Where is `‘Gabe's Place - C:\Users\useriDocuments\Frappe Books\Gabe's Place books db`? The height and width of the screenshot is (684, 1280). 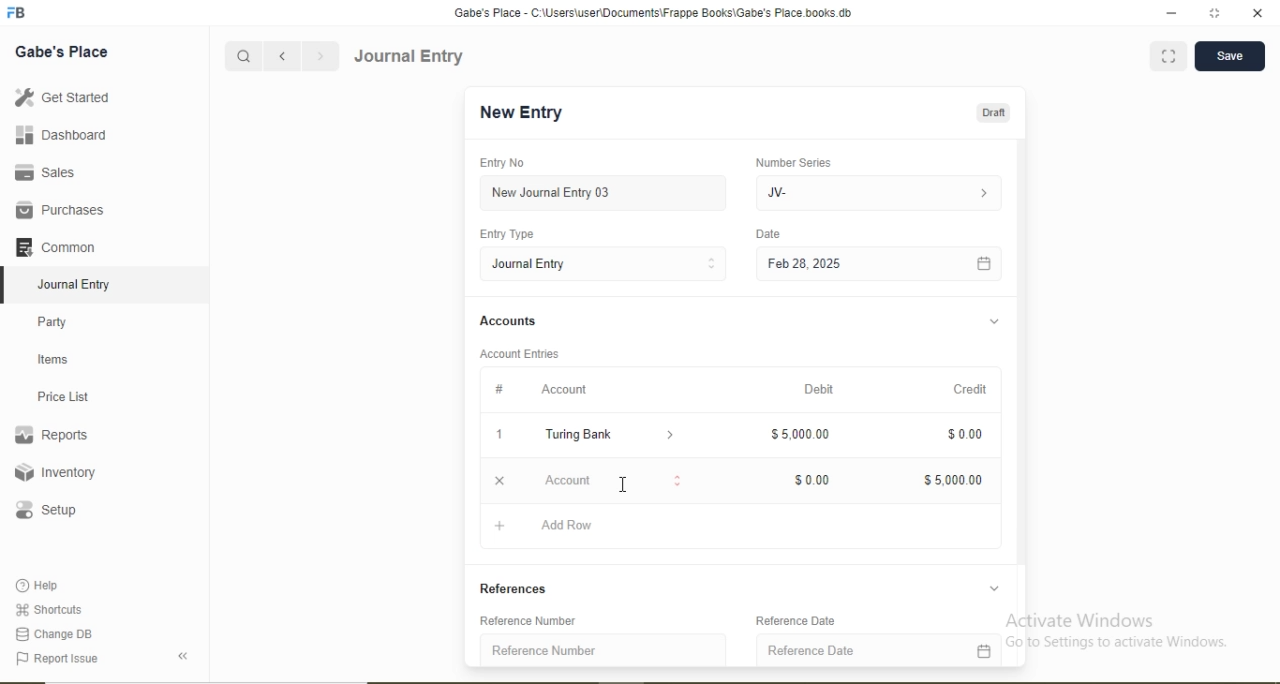 ‘Gabe's Place - C:\Users\useriDocuments\Frappe Books\Gabe's Place books db is located at coordinates (652, 13).